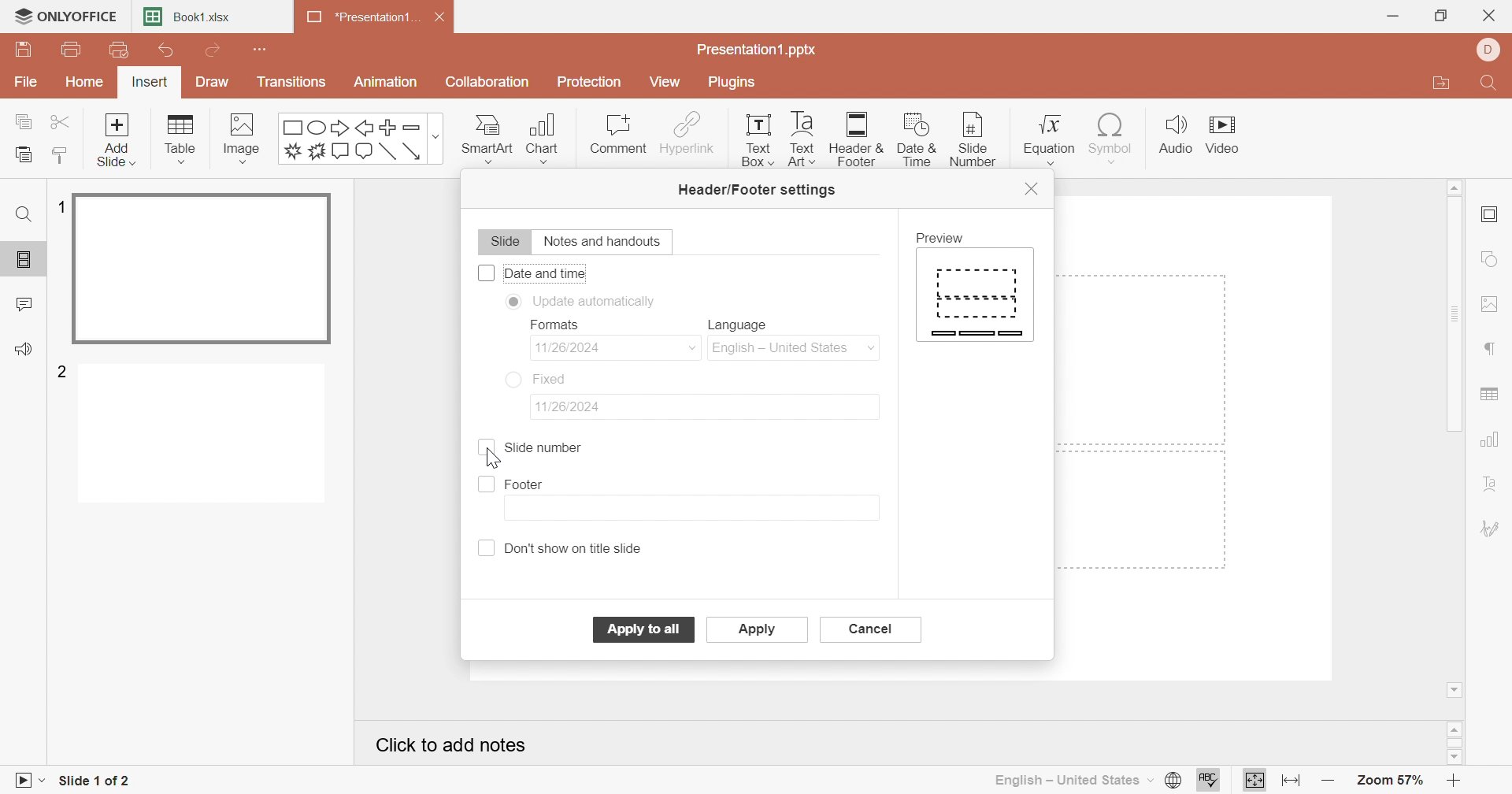 The height and width of the screenshot is (794, 1512). What do you see at coordinates (1440, 85) in the screenshot?
I see `Open file location` at bounding box center [1440, 85].